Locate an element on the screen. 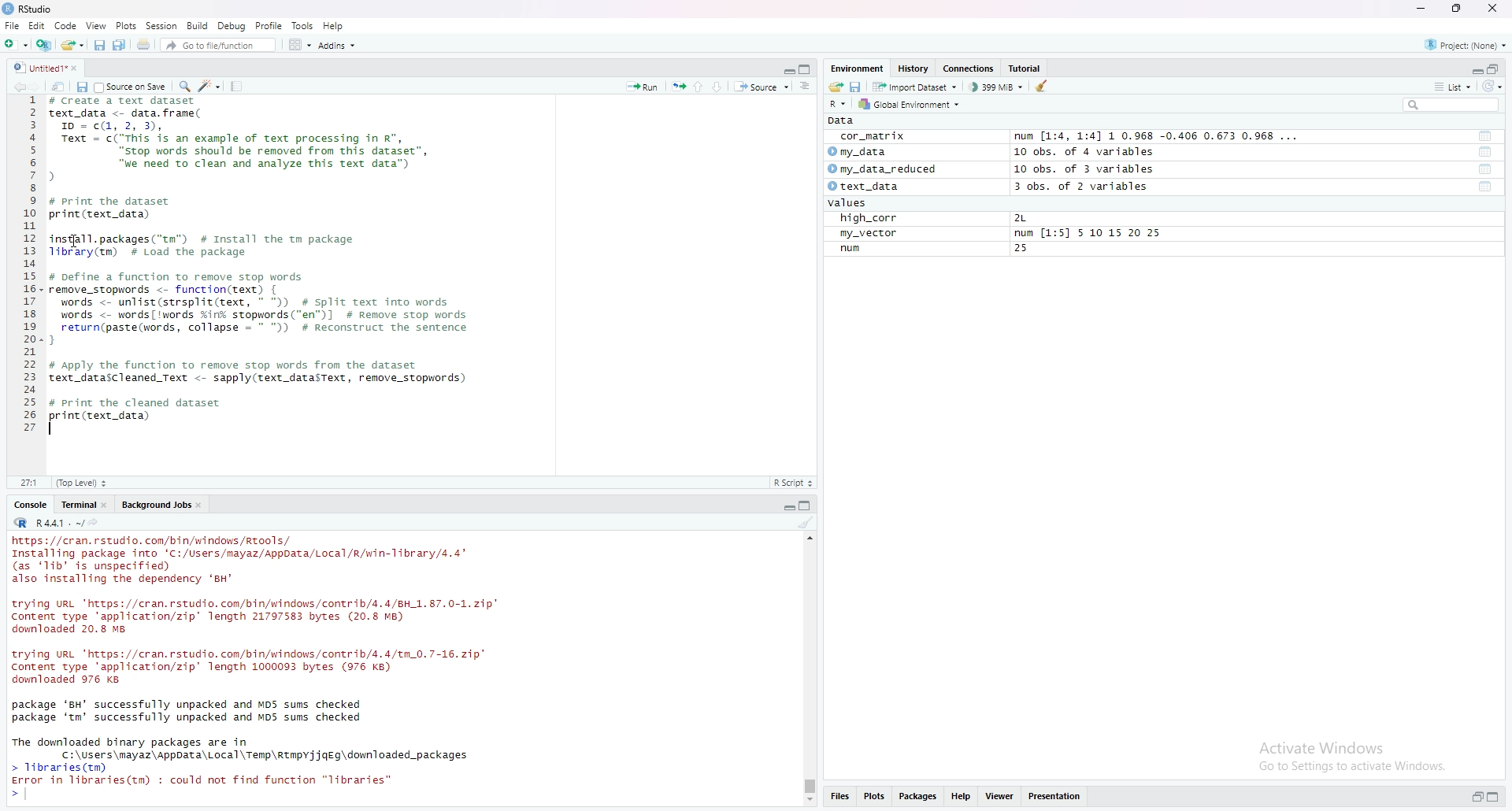  activate windows go to settings to activate windows is located at coordinates (1345, 755).